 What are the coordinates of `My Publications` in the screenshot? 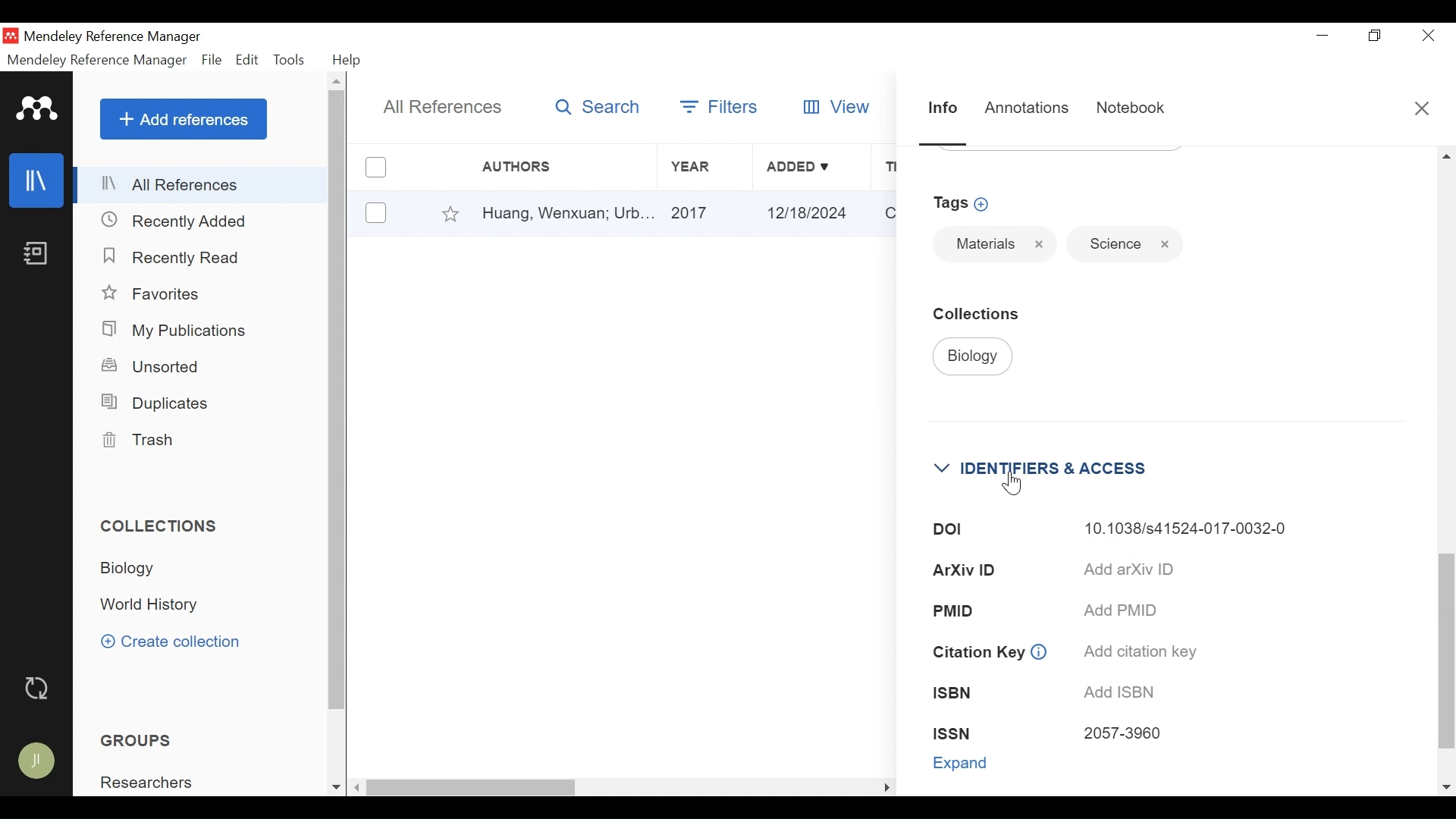 It's located at (185, 330).